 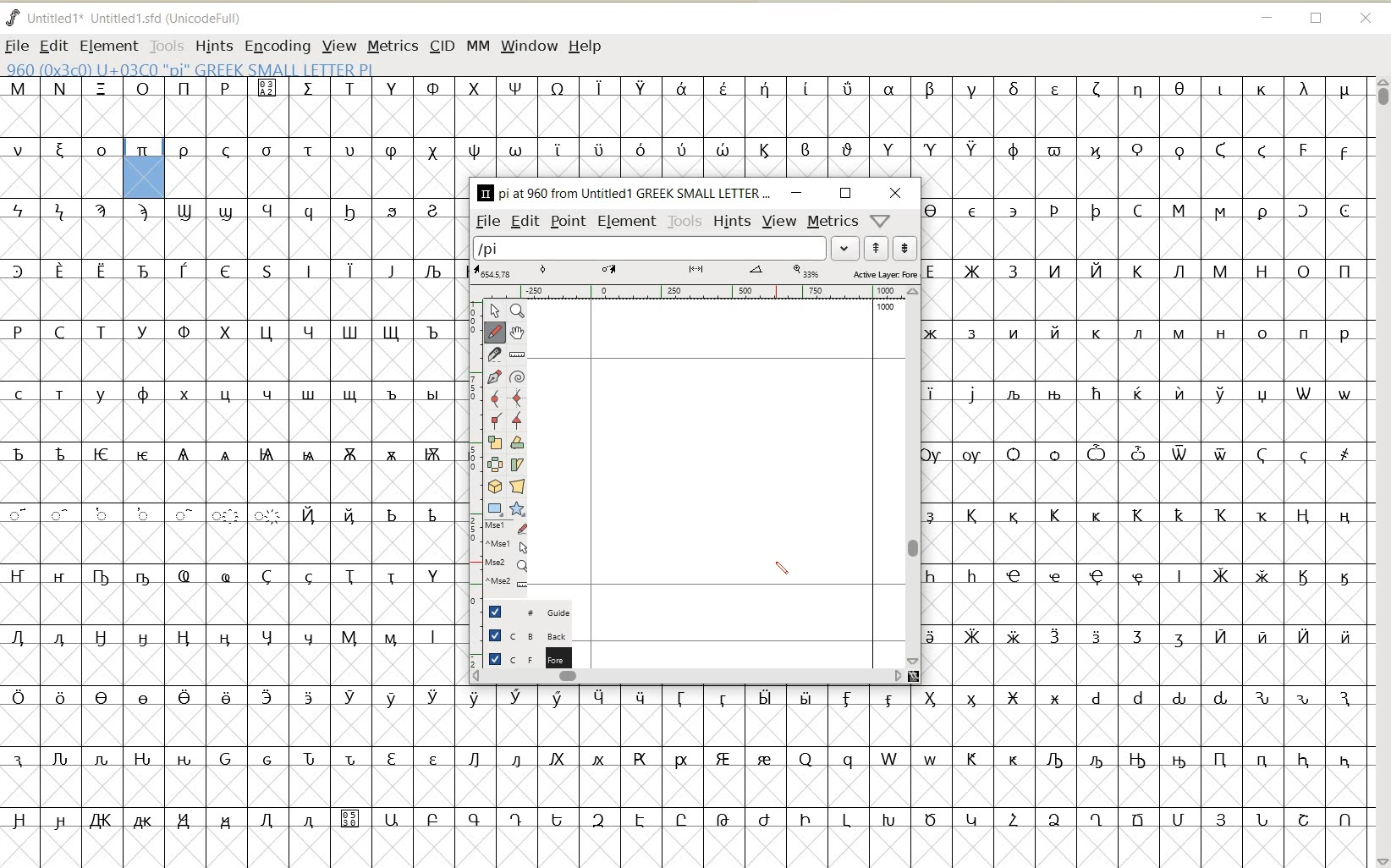 What do you see at coordinates (499, 555) in the screenshot?
I see `cursor events on the opened outline window` at bounding box center [499, 555].